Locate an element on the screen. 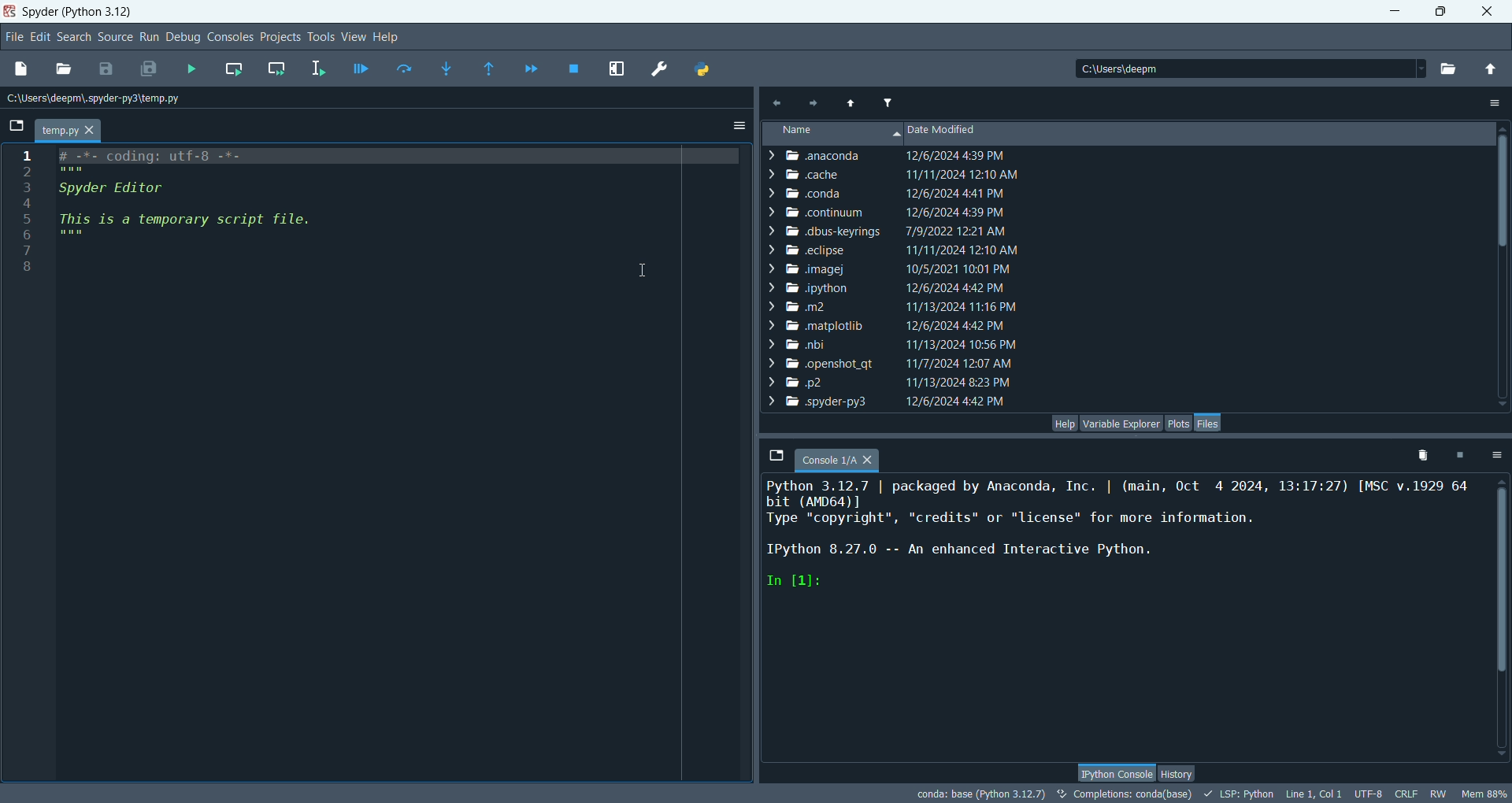 Image resolution: width=1512 pixels, height=803 pixels. previous is located at coordinates (776, 102).